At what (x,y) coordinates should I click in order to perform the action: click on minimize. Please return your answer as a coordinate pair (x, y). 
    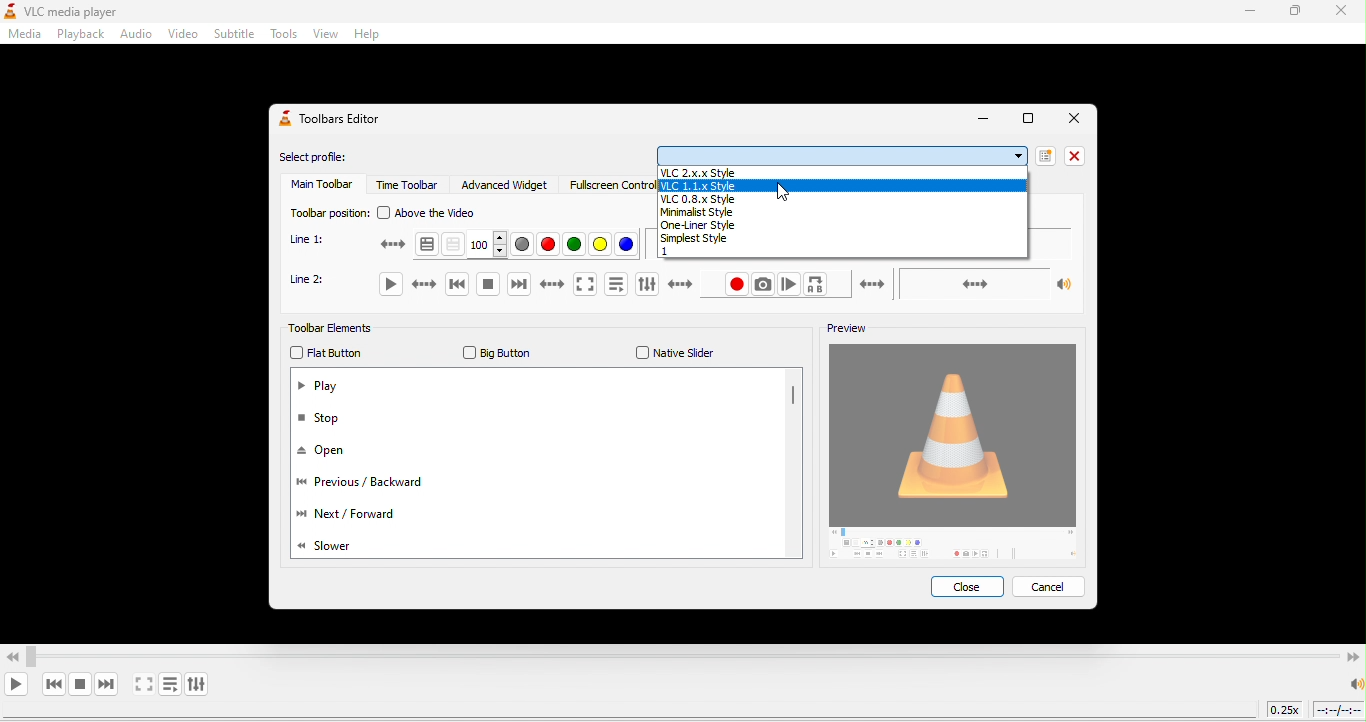
    Looking at the image, I should click on (1248, 12).